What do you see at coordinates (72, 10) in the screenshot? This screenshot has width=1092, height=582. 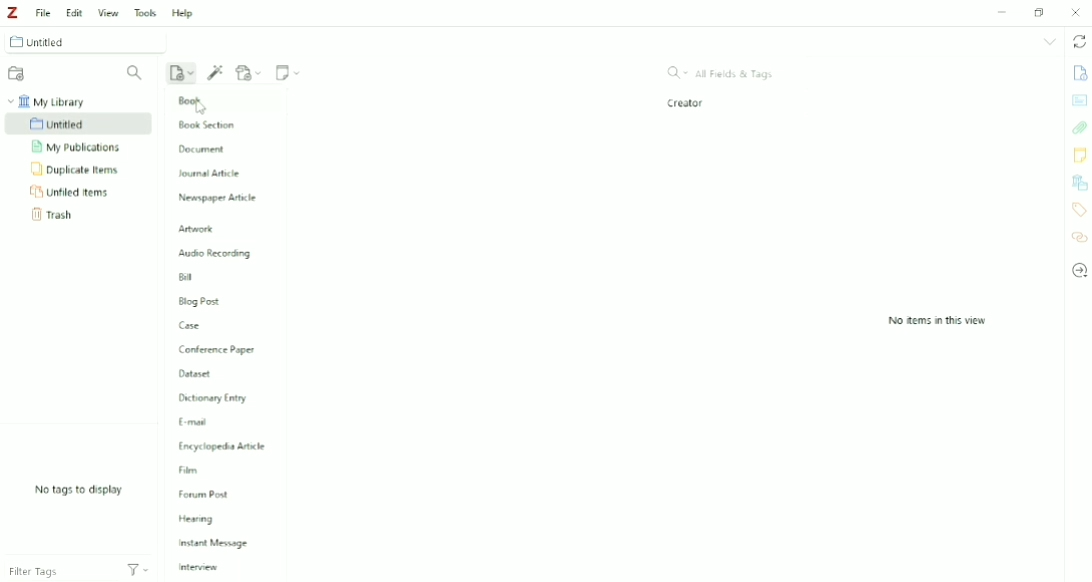 I see `Edit` at bounding box center [72, 10].